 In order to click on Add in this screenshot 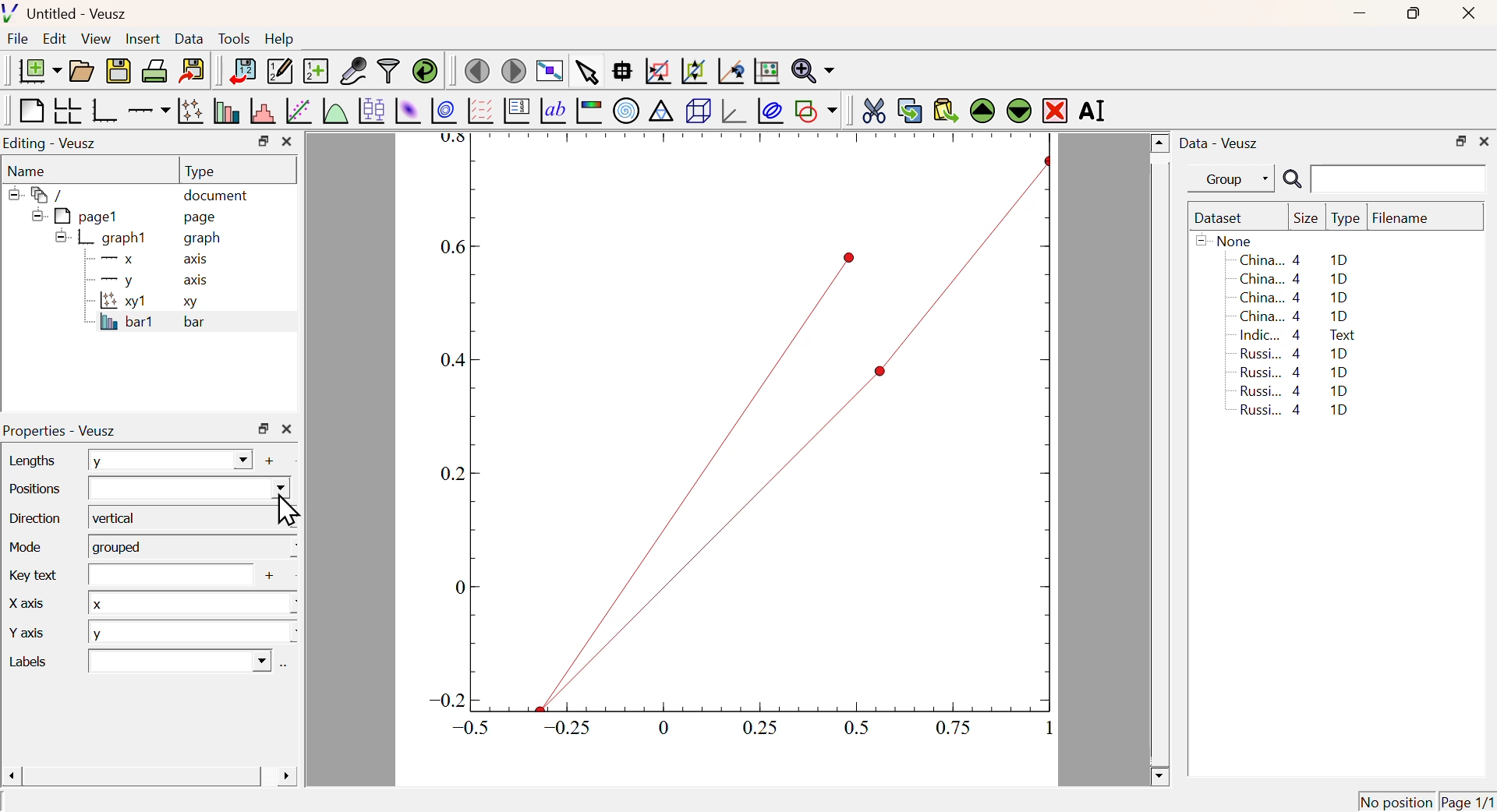, I will do `click(272, 577)`.